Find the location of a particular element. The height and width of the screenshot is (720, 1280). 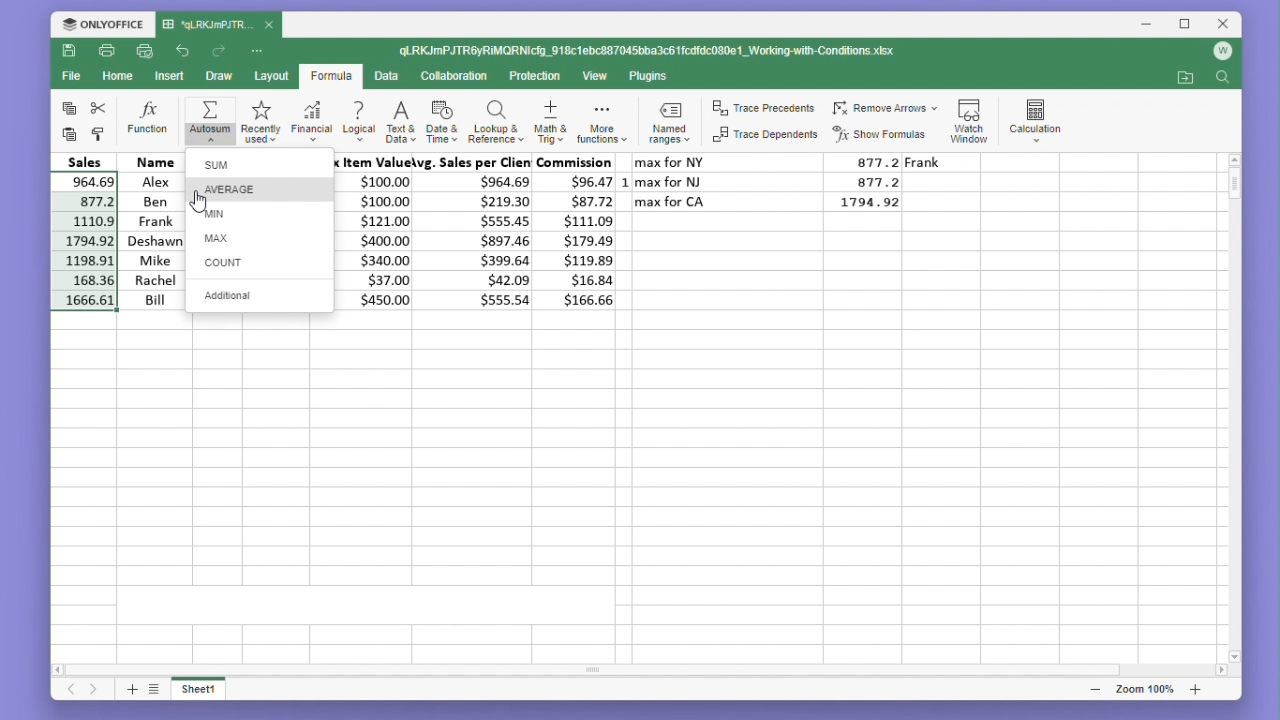

close is located at coordinates (270, 24).